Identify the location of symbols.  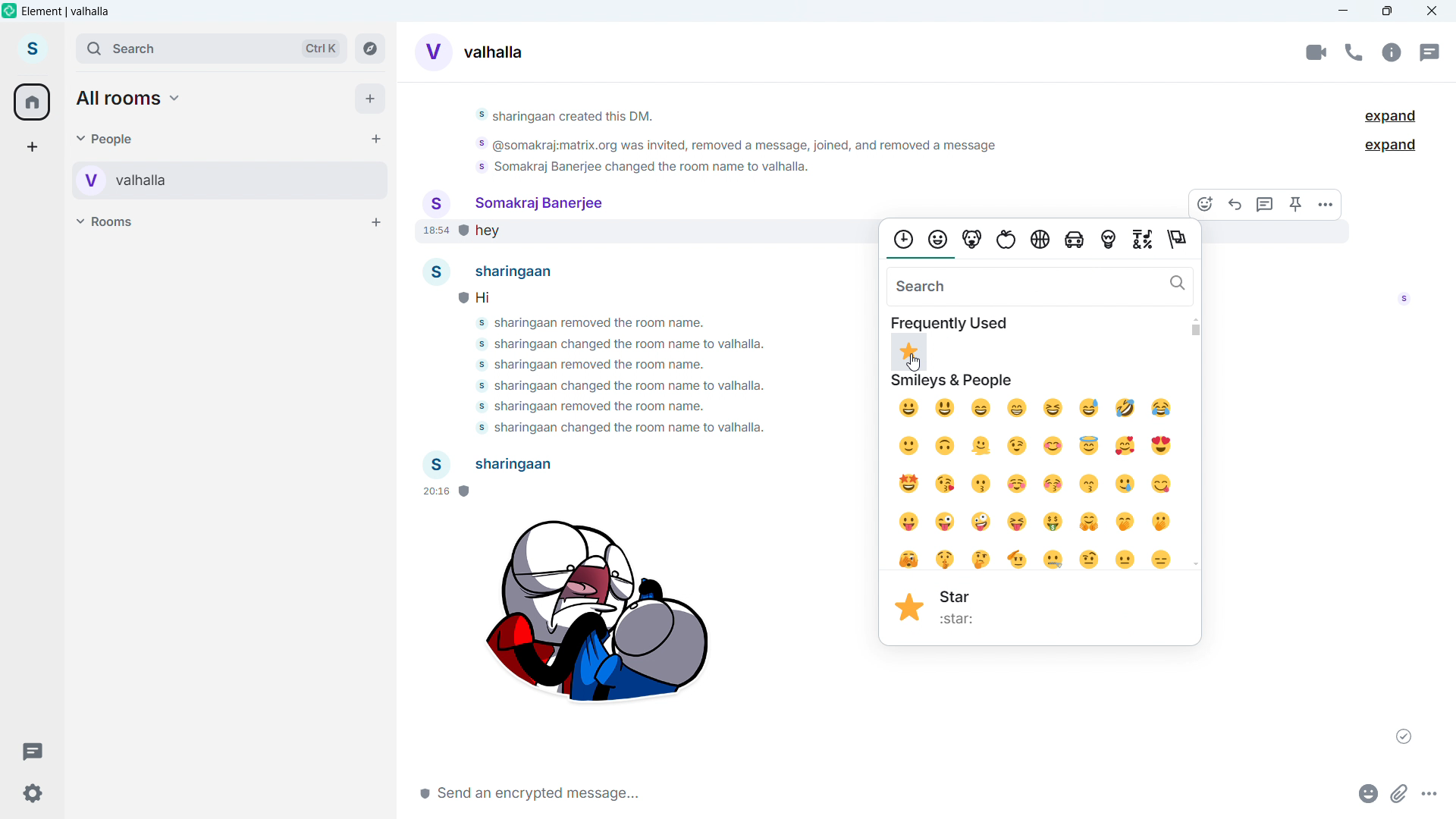
(1146, 240).